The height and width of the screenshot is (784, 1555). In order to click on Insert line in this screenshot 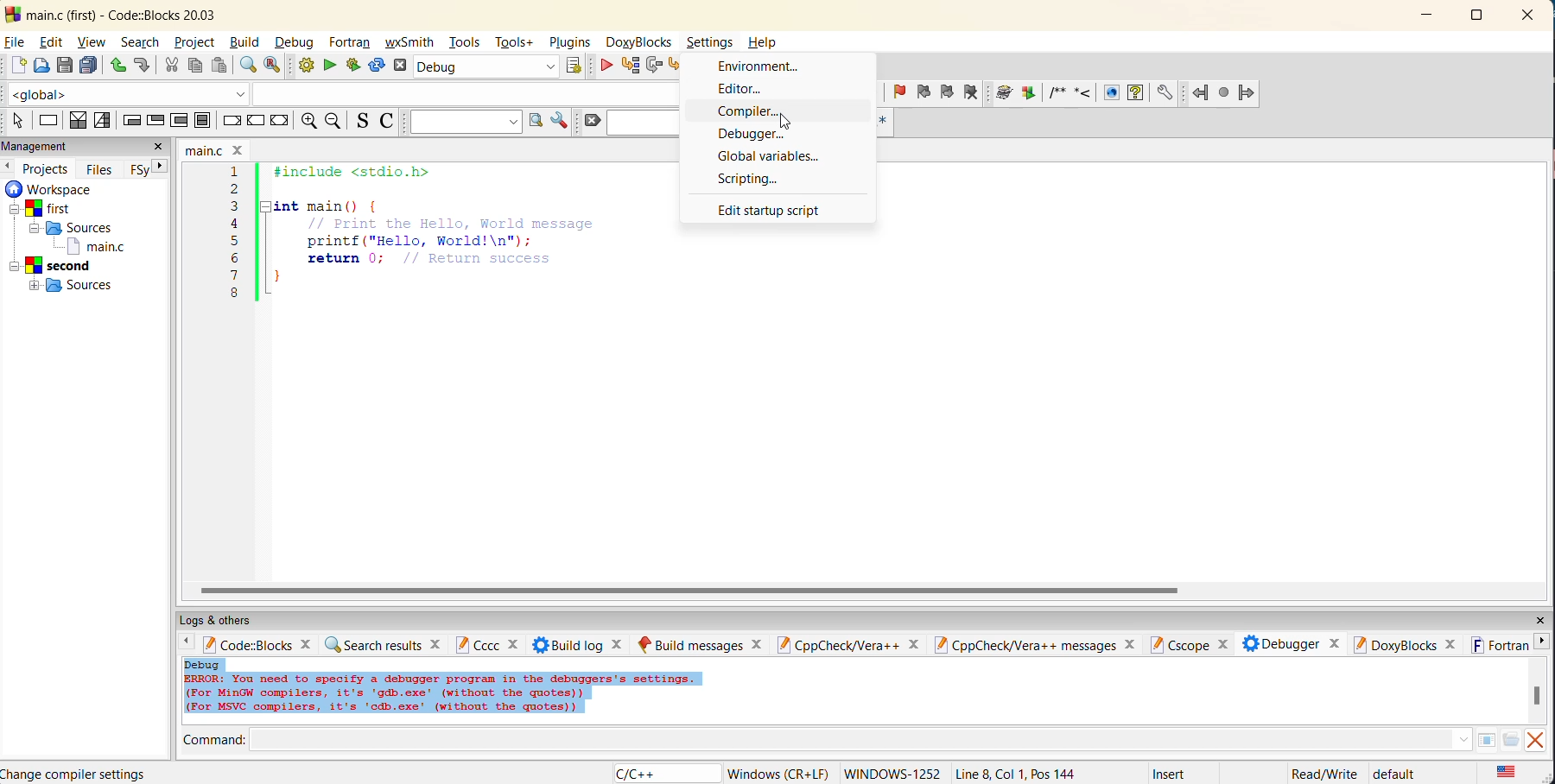, I will do `click(1081, 95)`.